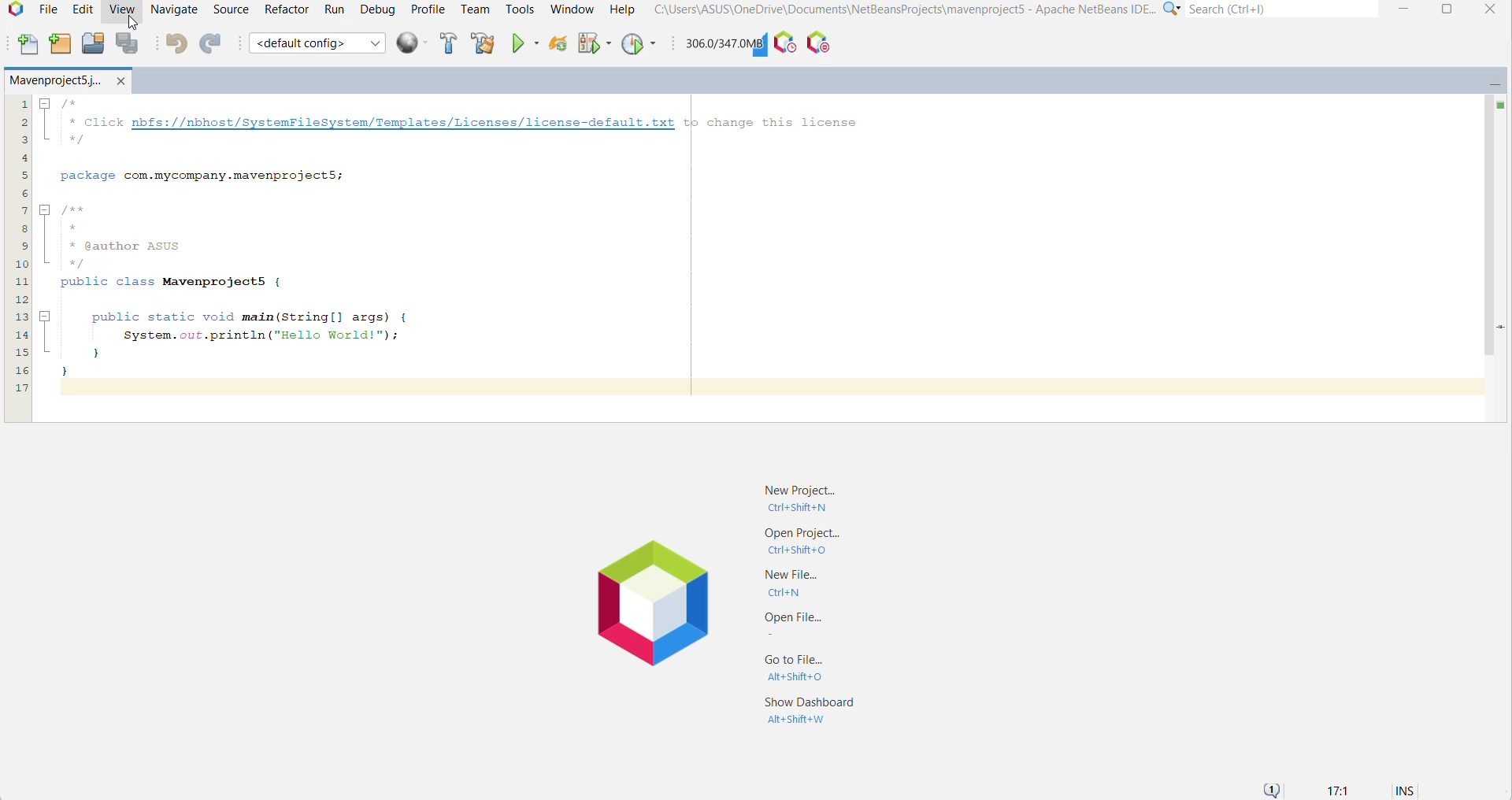  I want to click on New Project, so click(800, 497).